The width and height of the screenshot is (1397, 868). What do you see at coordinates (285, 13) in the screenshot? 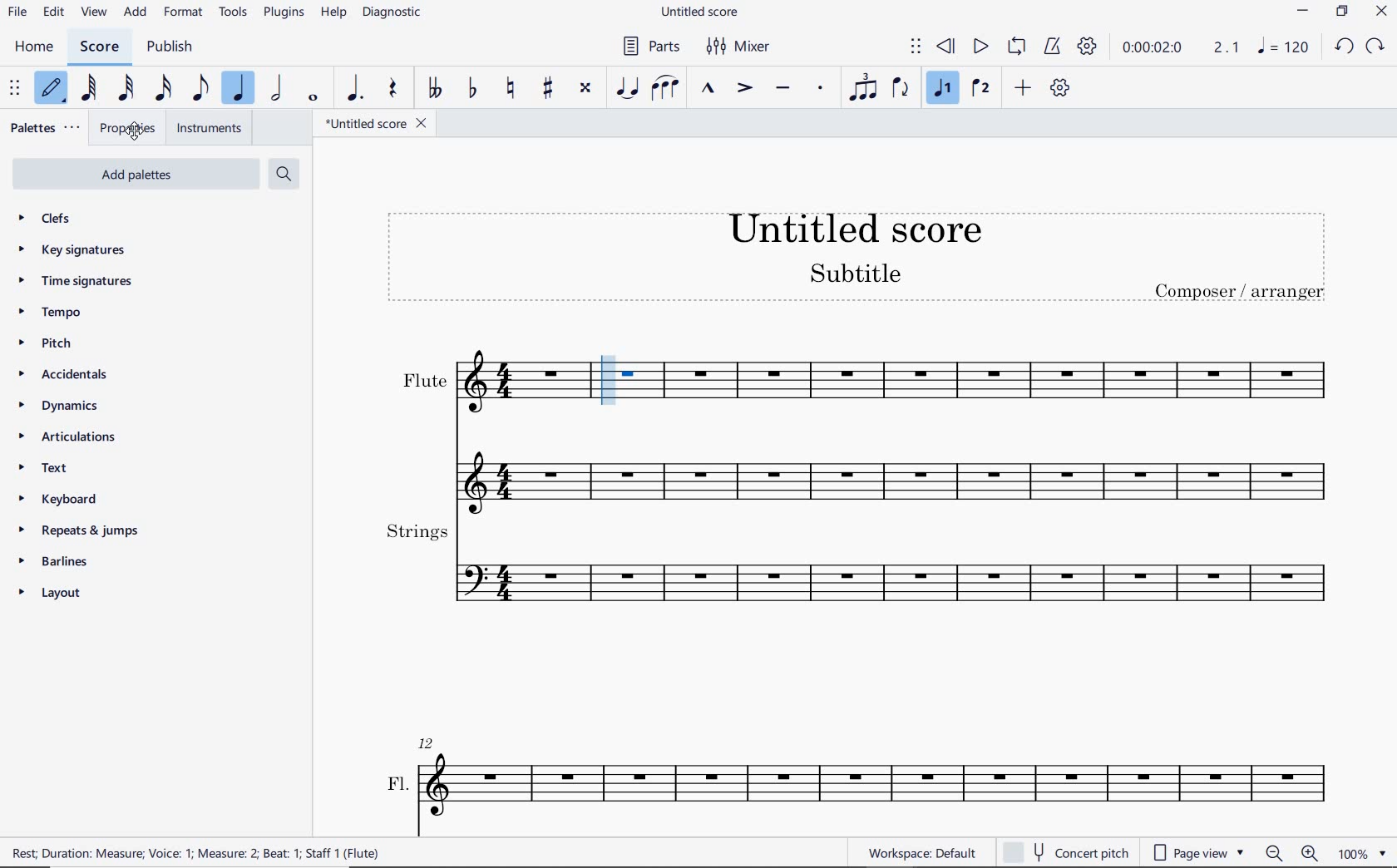
I see `PLUGINS` at bounding box center [285, 13].